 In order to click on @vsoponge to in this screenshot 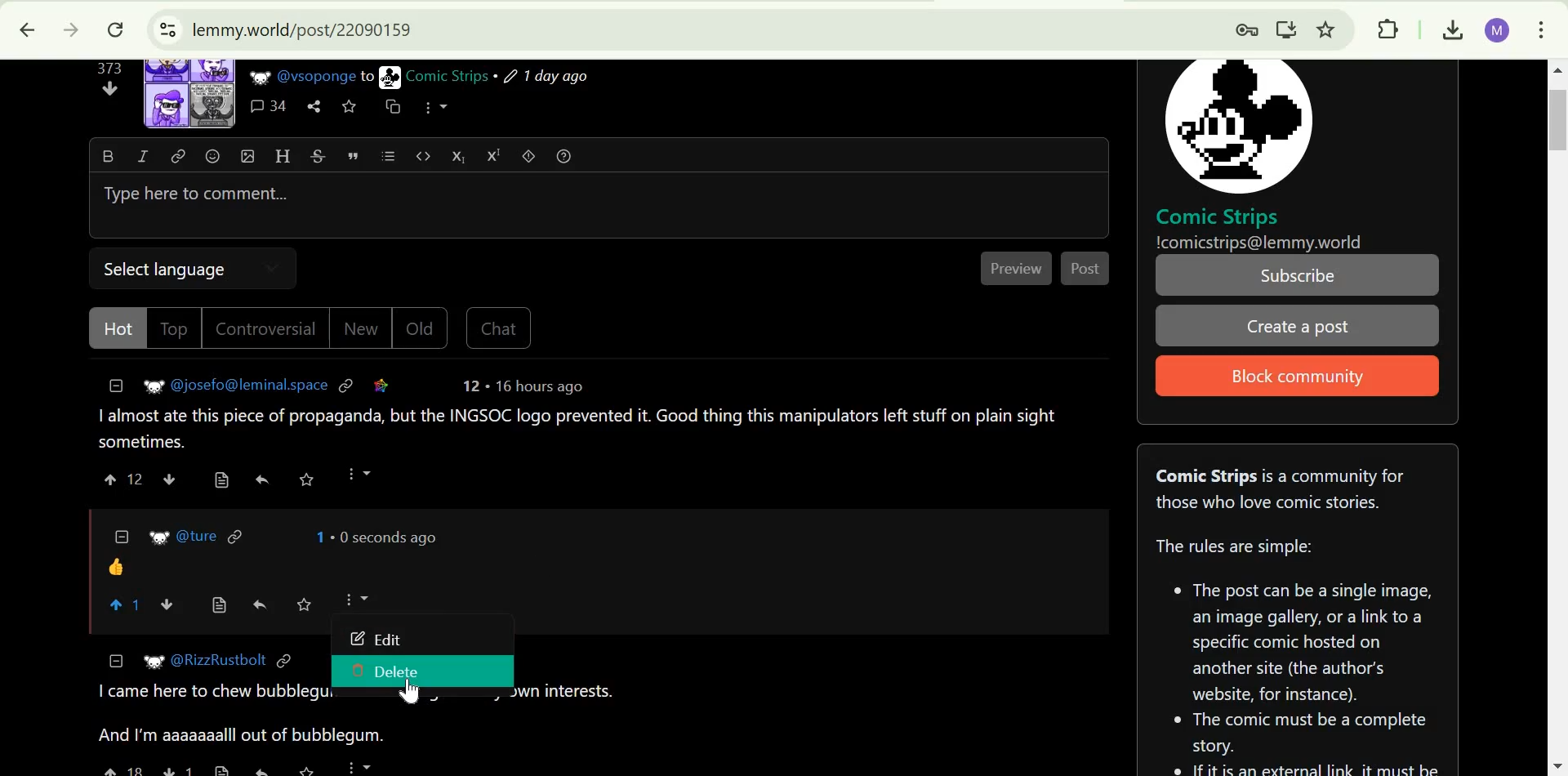, I will do `click(326, 76)`.